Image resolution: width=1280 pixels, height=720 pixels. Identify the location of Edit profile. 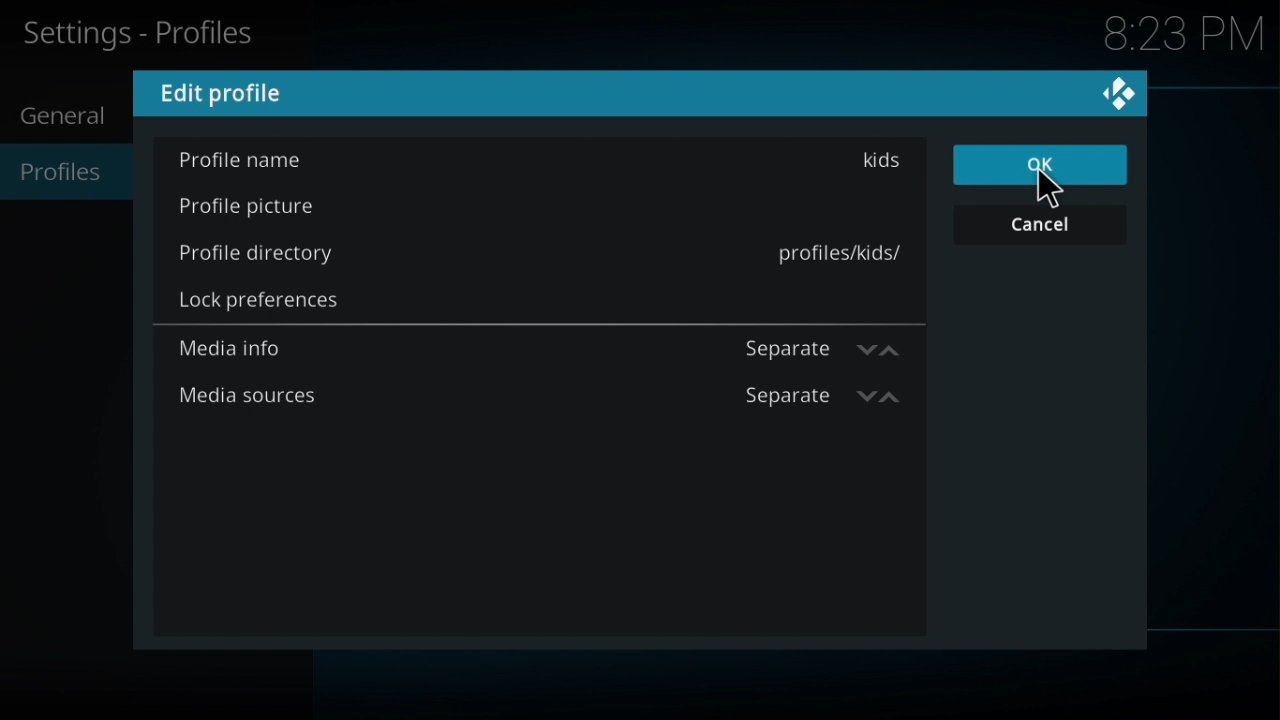
(227, 94).